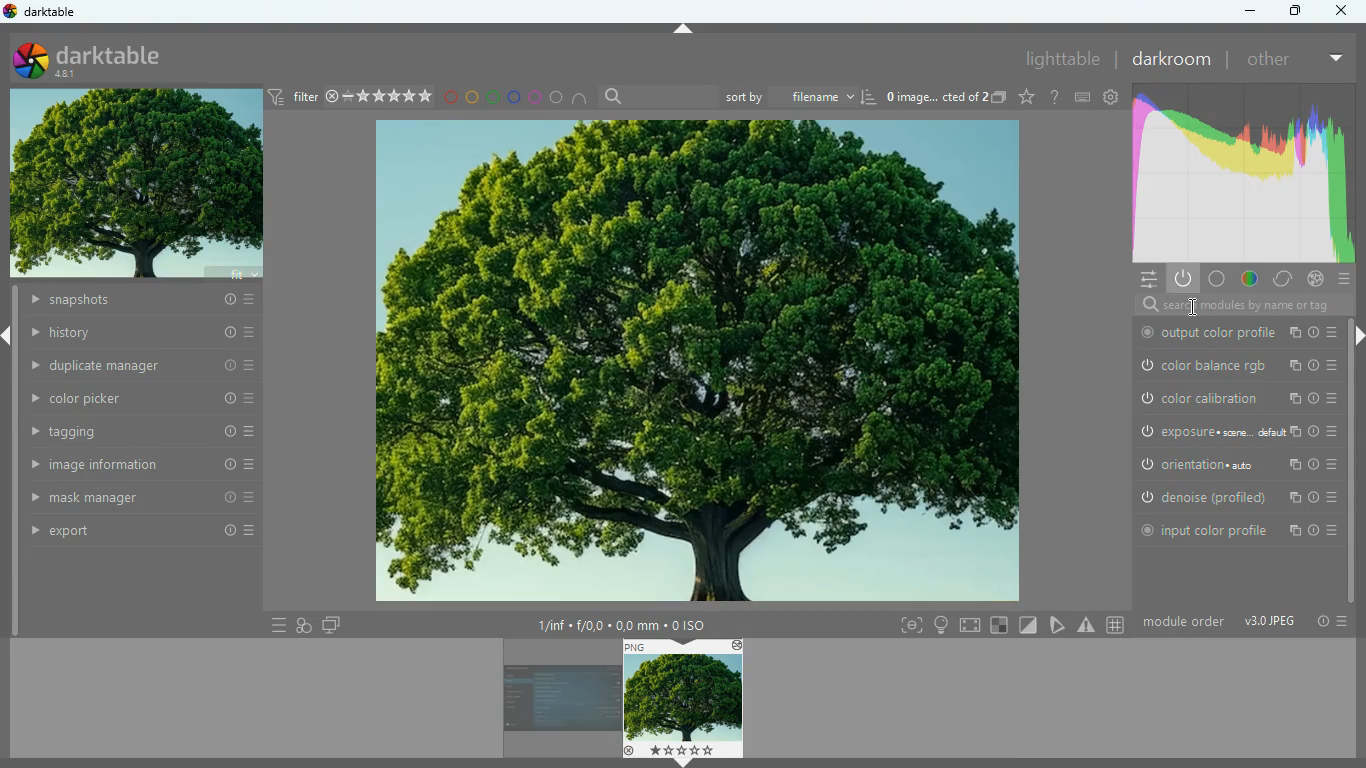 The height and width of the screenshot is (768, 1366). Describe the element at coordinates (143, 433) in the screenshot. I see `tagging` at that location.